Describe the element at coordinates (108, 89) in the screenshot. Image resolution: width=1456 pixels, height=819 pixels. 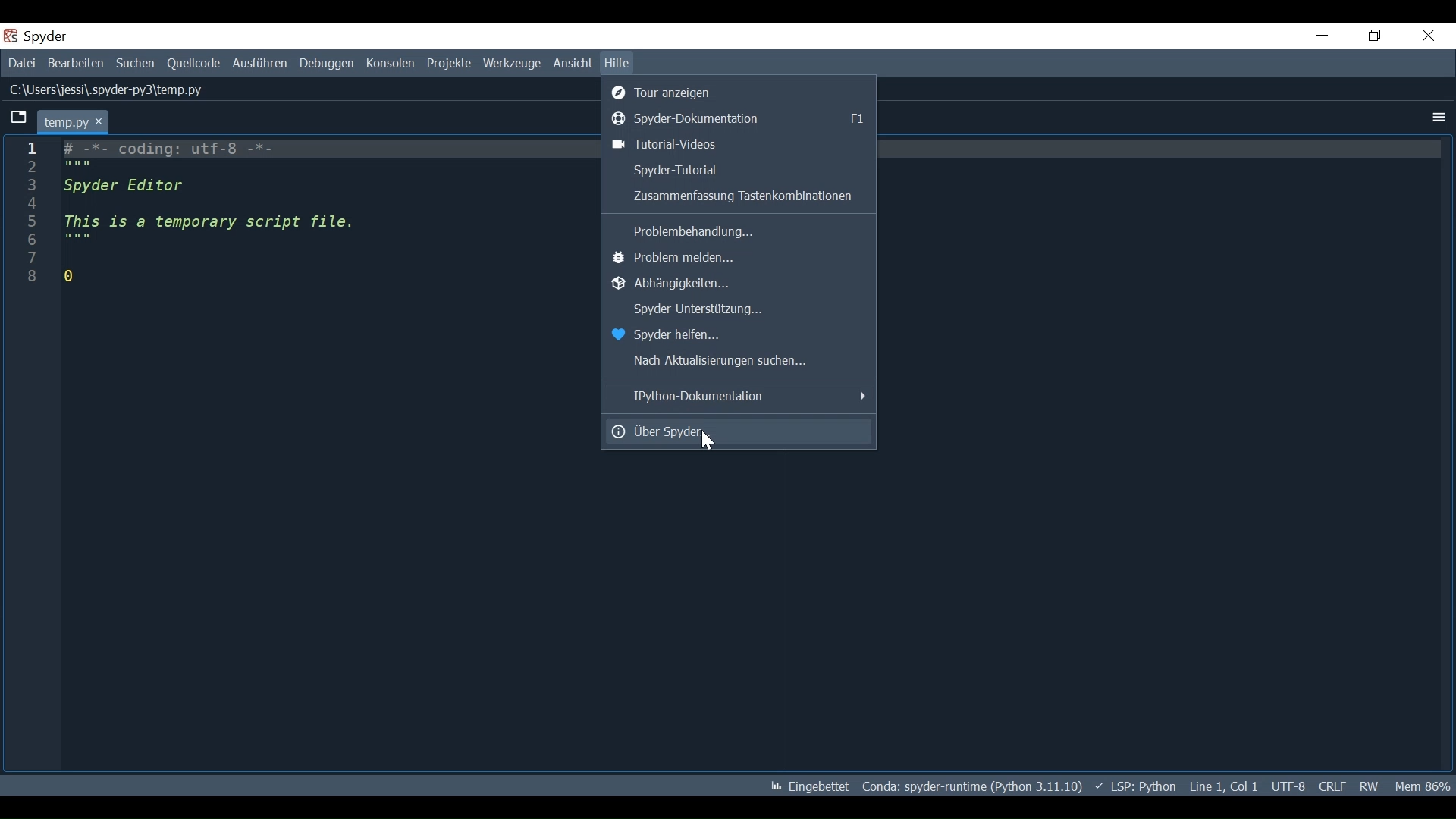
I see `C:\Users\jess\.spyder-py3\temp.py` at that location.